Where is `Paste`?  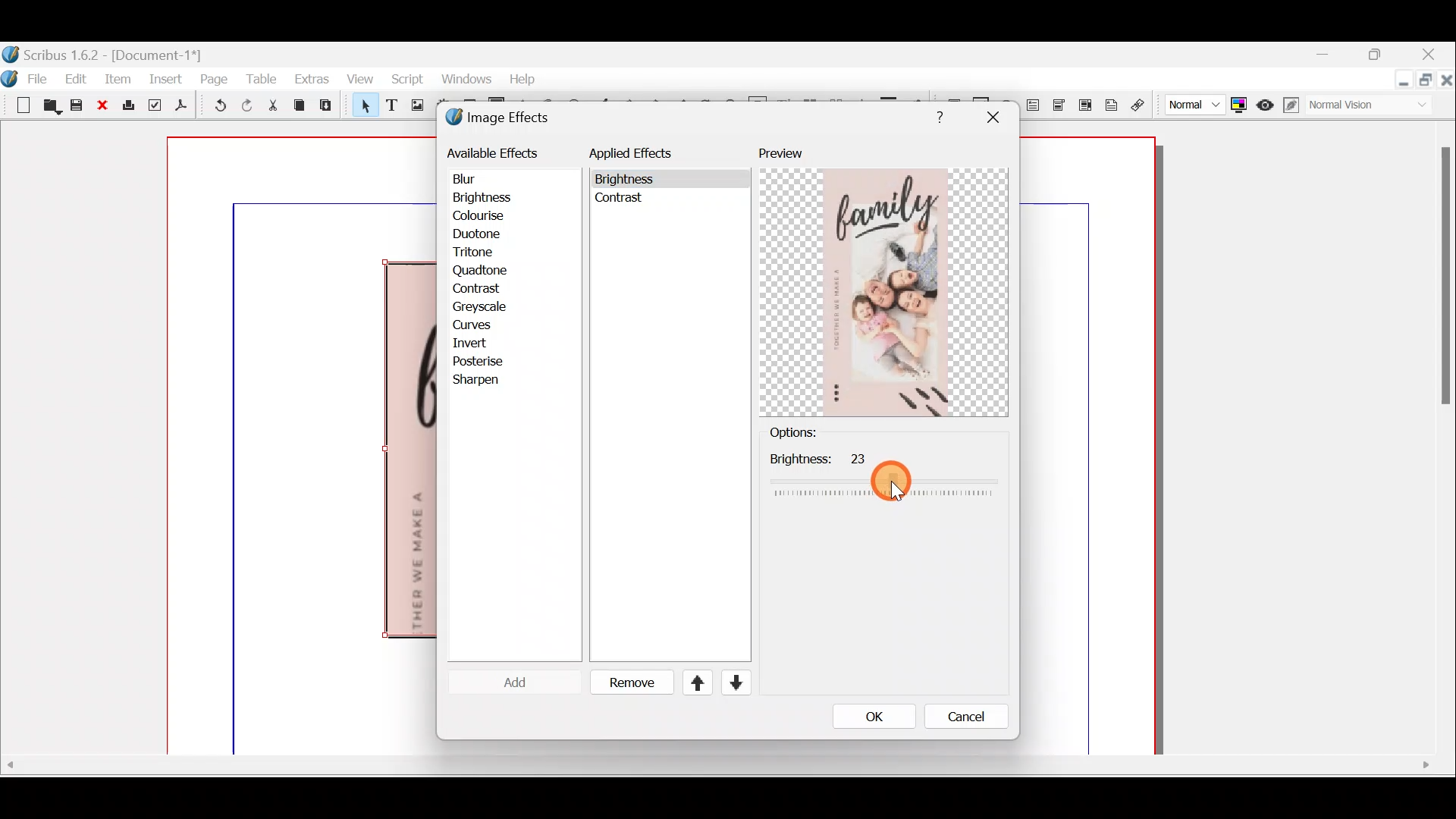
Paste is located at coordinates (329, 107).